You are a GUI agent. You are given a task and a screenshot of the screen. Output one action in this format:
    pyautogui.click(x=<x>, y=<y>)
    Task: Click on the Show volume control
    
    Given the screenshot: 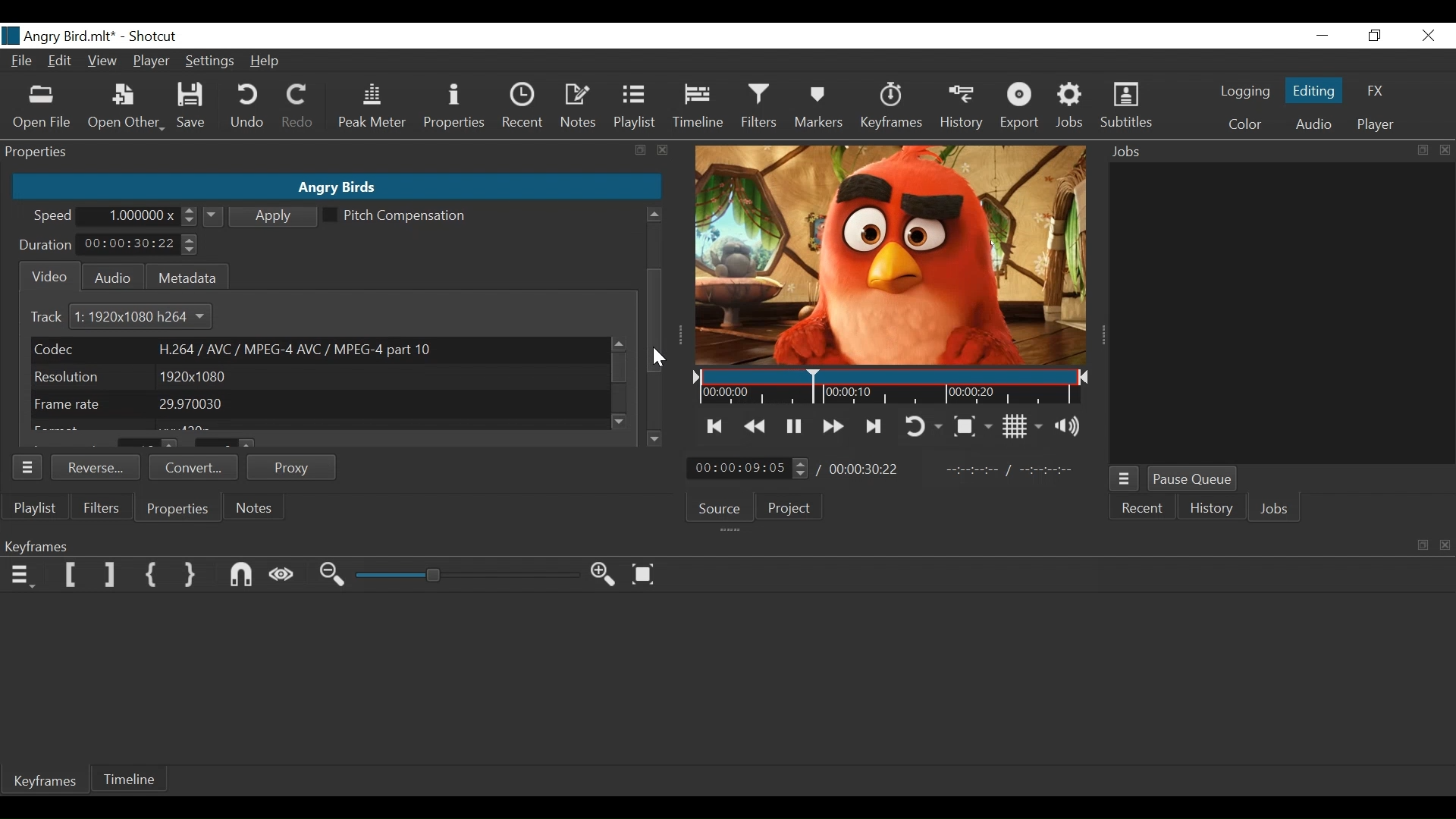 What is the action you would take?
    pyautogui.click(x=1070, y=428)
    